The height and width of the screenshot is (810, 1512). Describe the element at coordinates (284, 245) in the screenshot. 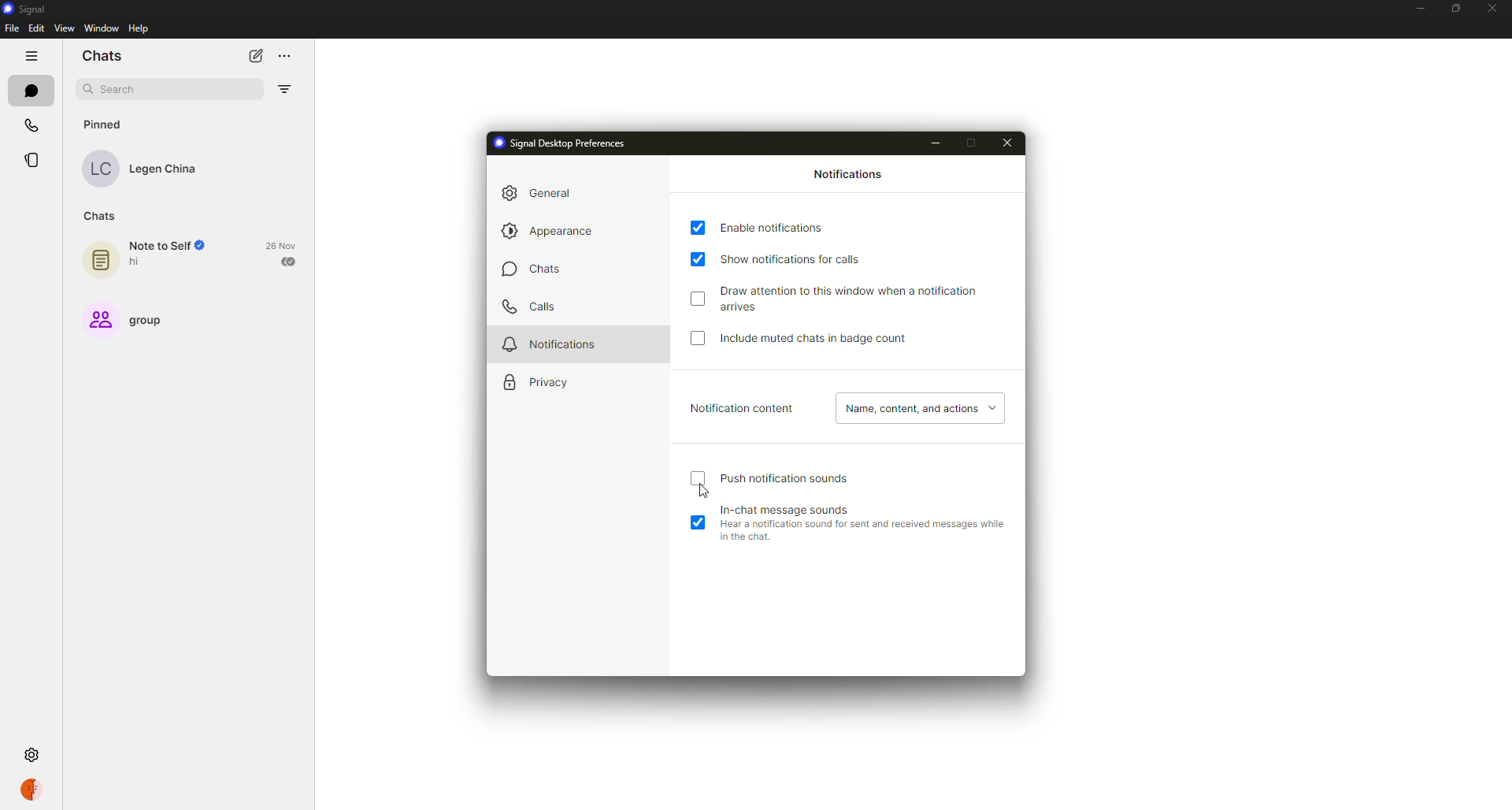

I see `date` at that location.